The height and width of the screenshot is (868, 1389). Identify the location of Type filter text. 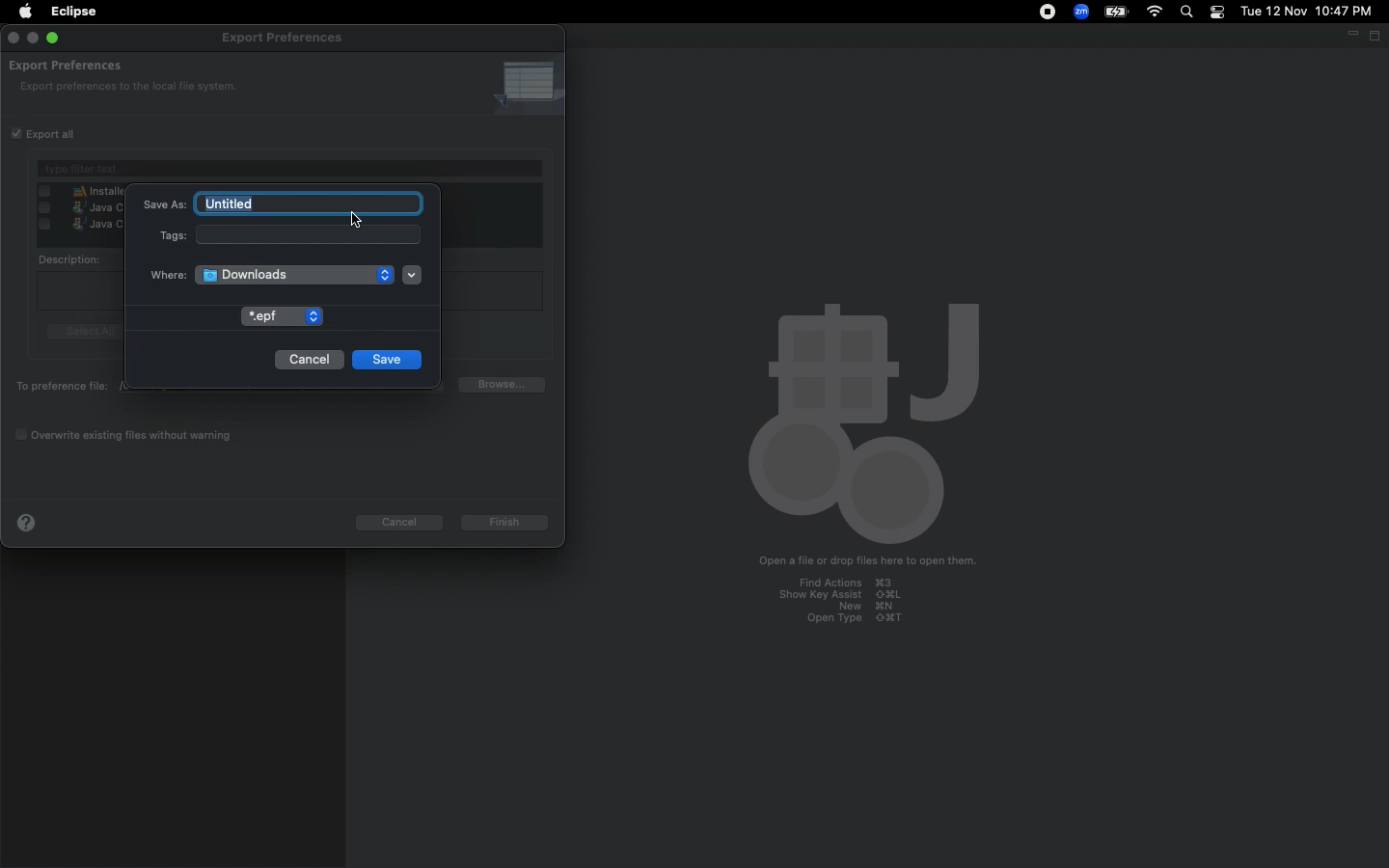
(290, 169).